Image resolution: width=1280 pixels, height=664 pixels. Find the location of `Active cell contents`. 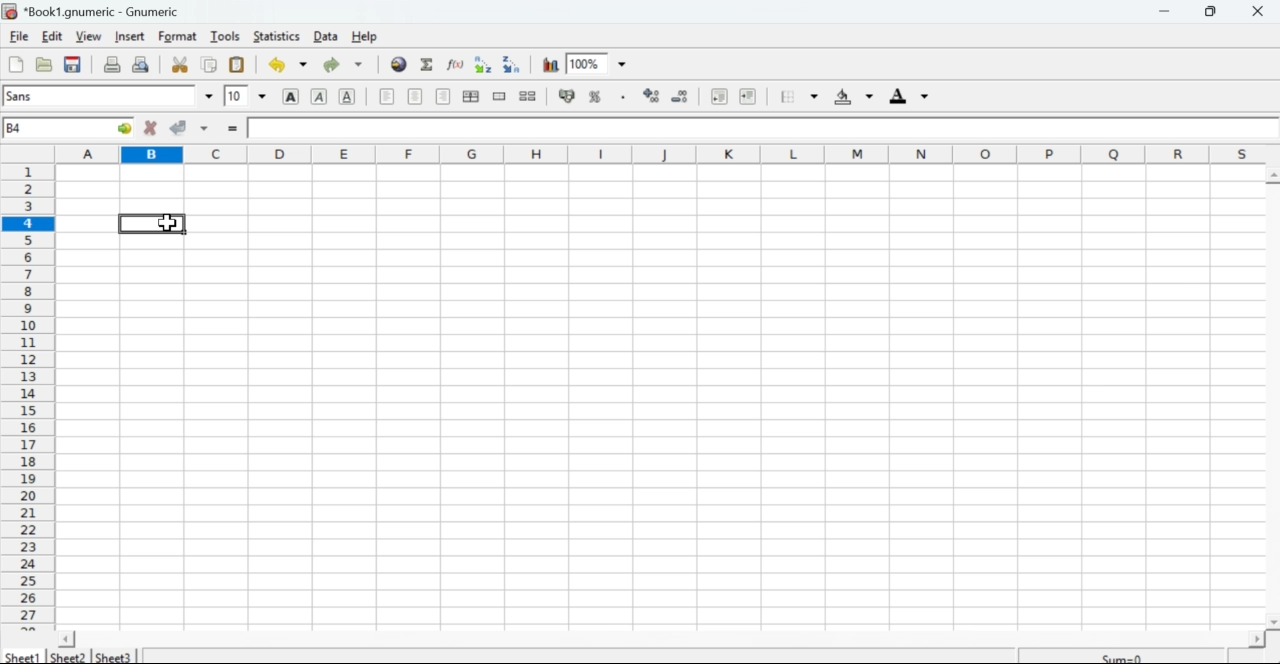

Active cell contents is located at coordinates (760, 127).